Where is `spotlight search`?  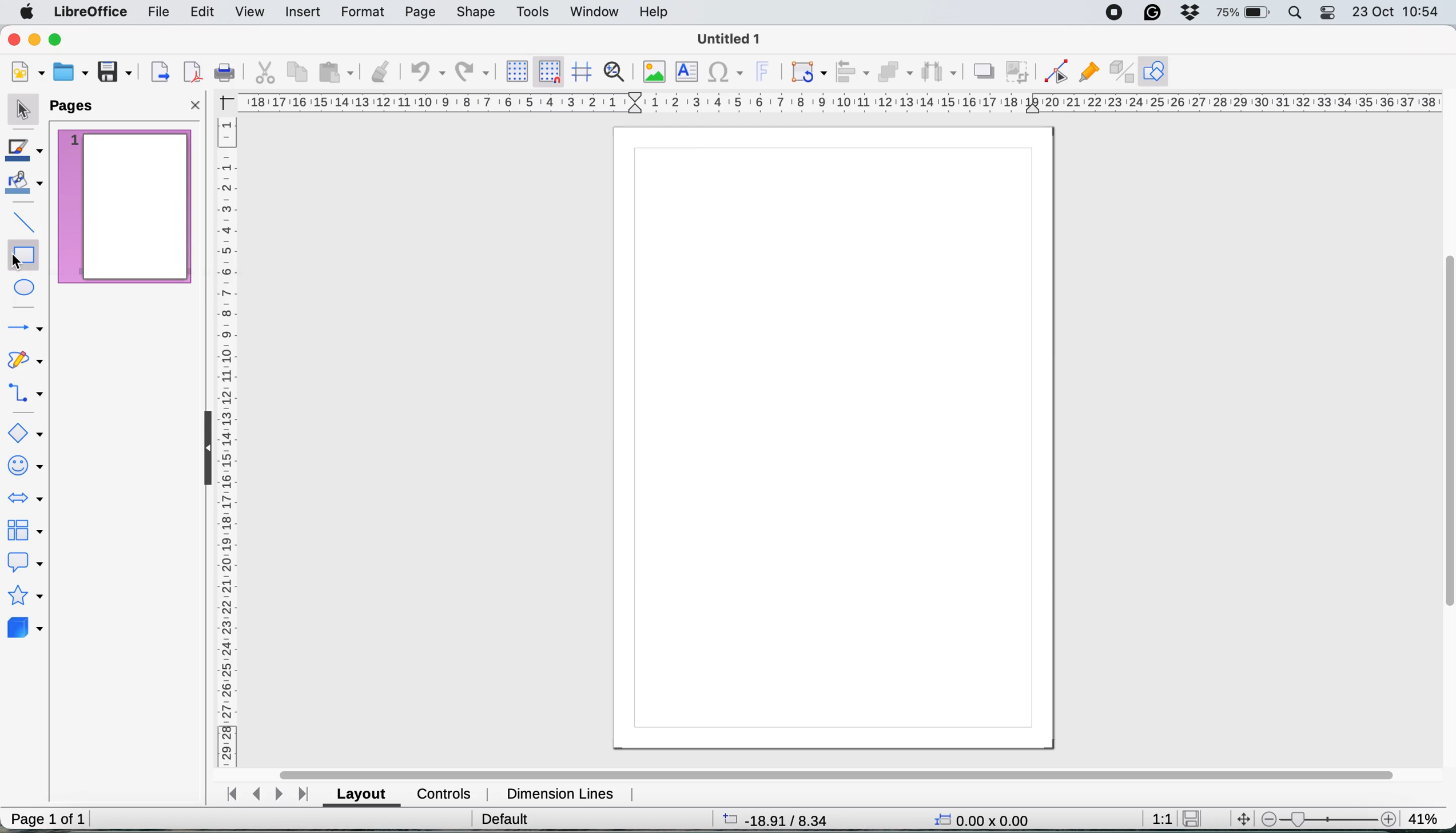 spotlight search is located at coordinates (1296, 13).